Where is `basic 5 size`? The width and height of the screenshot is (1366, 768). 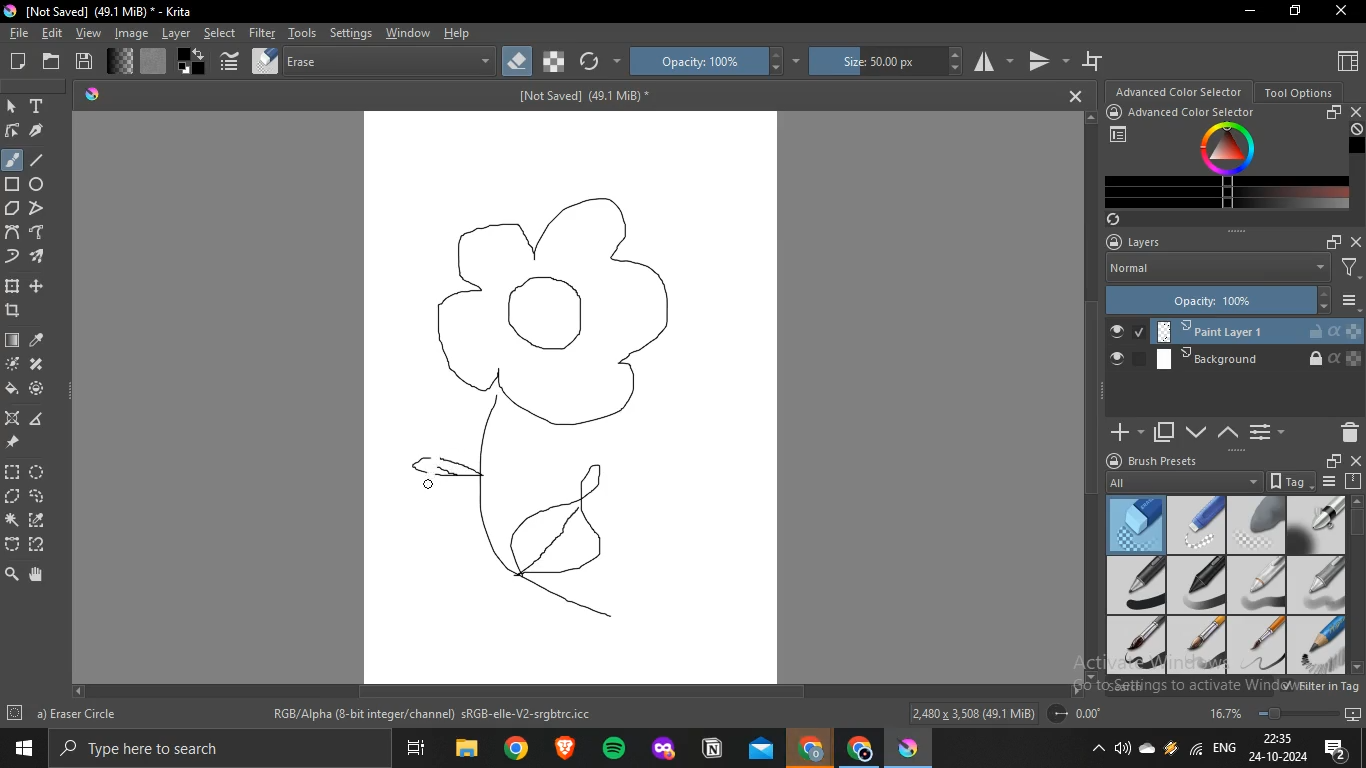
basic 5 size is located at coordinates (1135, 646).